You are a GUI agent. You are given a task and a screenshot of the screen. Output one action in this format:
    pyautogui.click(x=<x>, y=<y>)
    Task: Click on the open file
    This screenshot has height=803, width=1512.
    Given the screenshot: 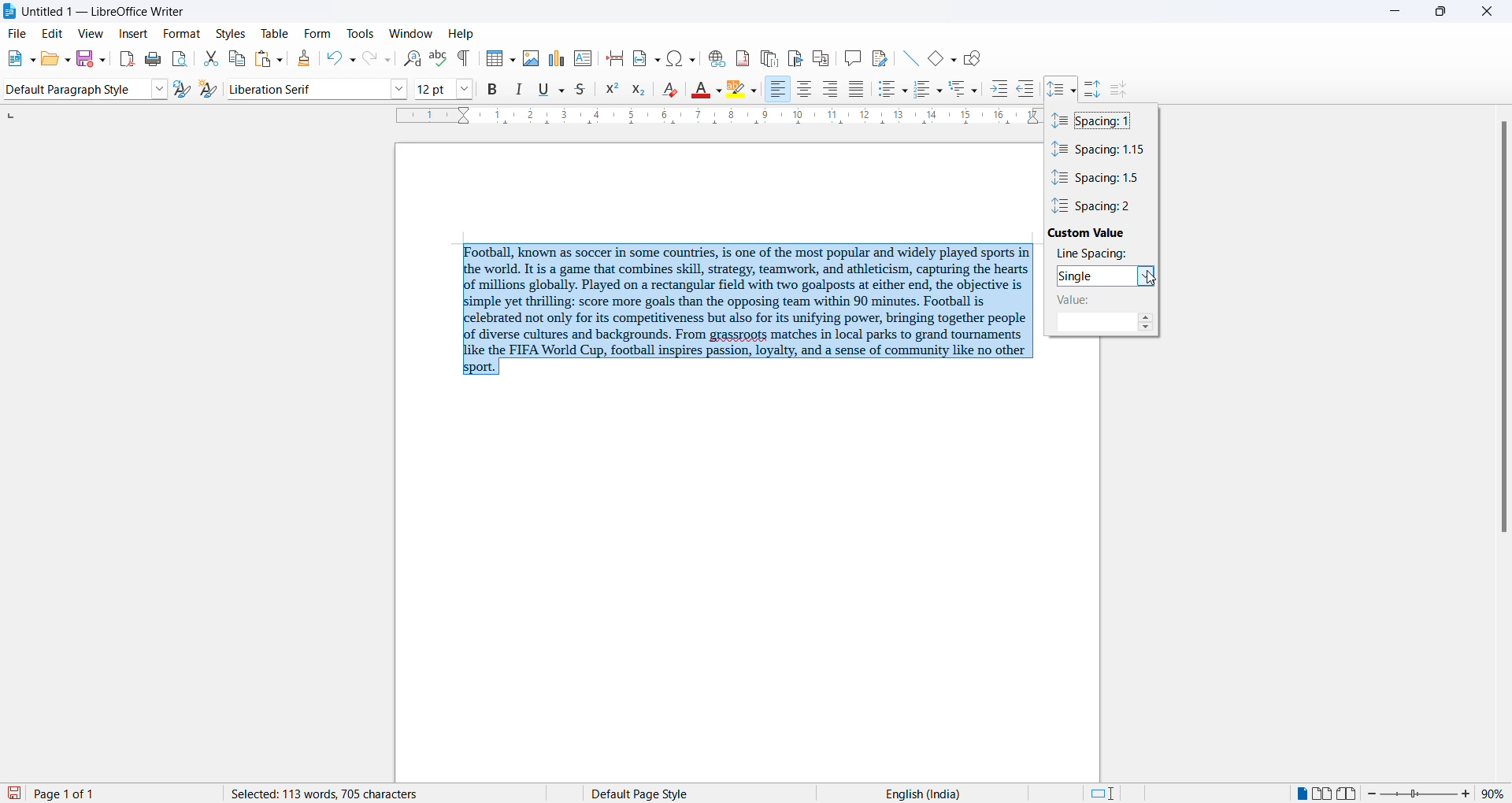 What is the action you would take?
    pyautogui.click(x=46, y=60)
    